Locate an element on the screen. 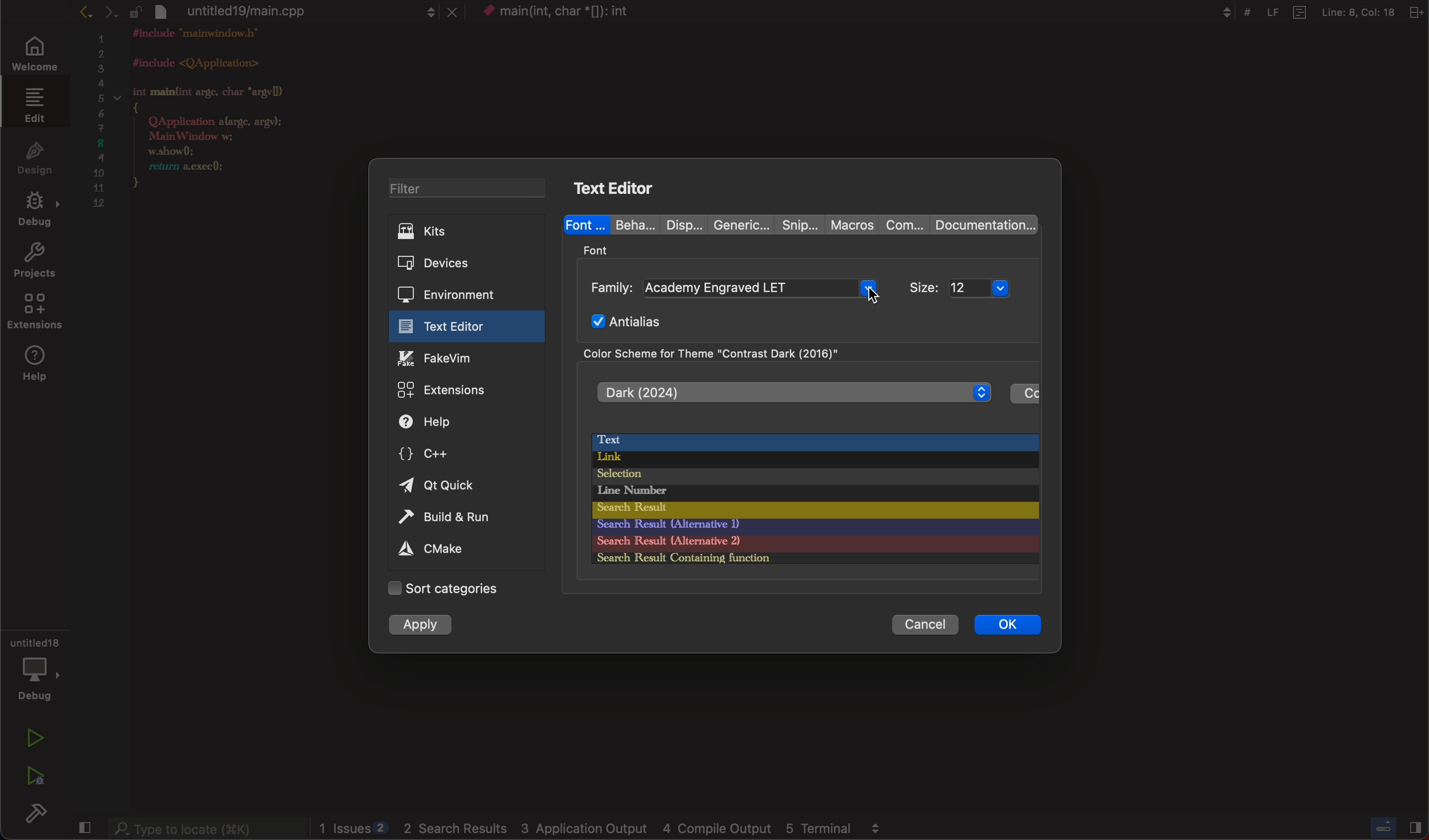 The width and height of the screenshot is (1429, 840). fakevim is located at coordinates (462, 358).